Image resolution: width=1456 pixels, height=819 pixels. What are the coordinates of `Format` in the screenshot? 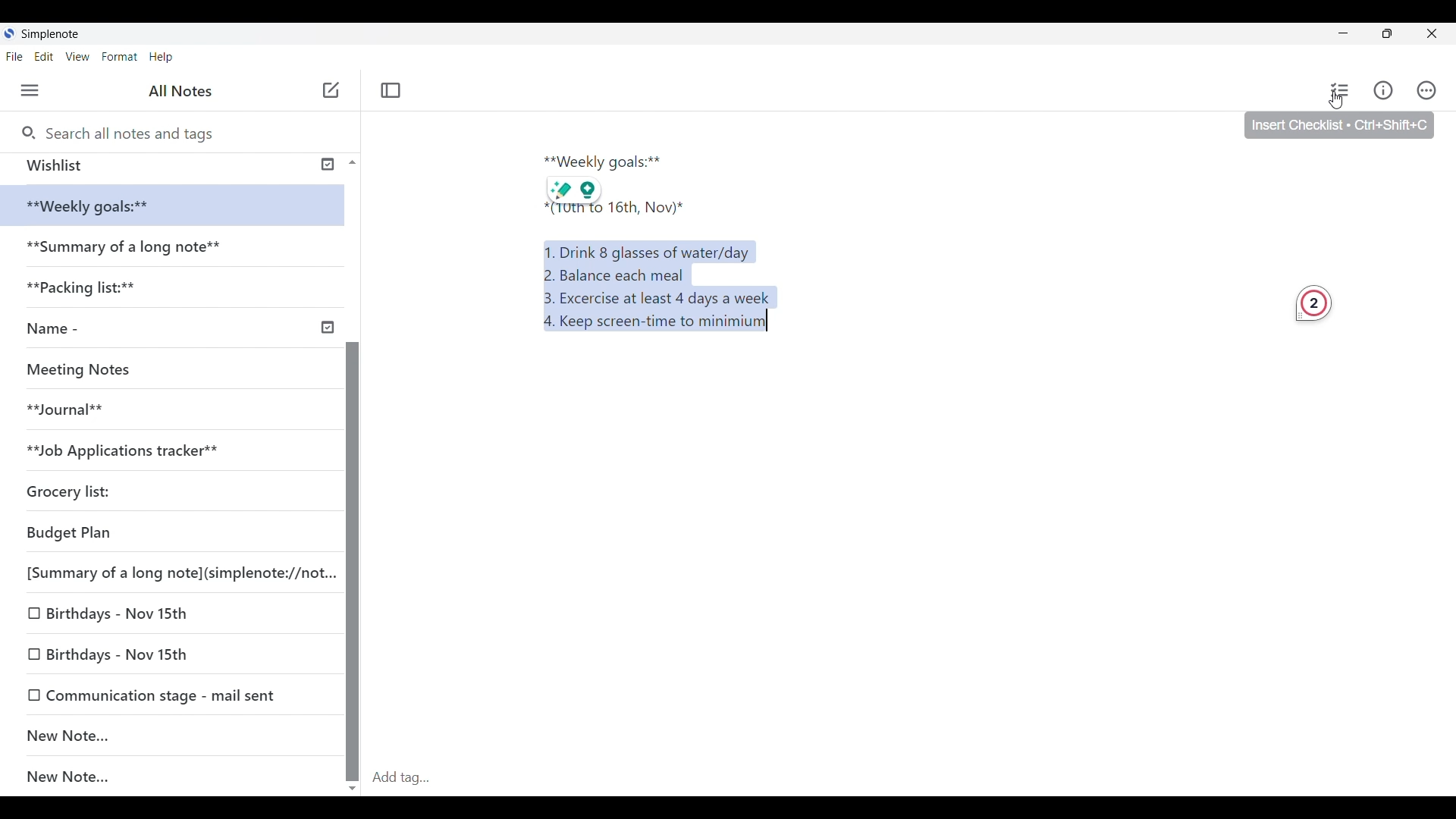 It's located at (120, 56).